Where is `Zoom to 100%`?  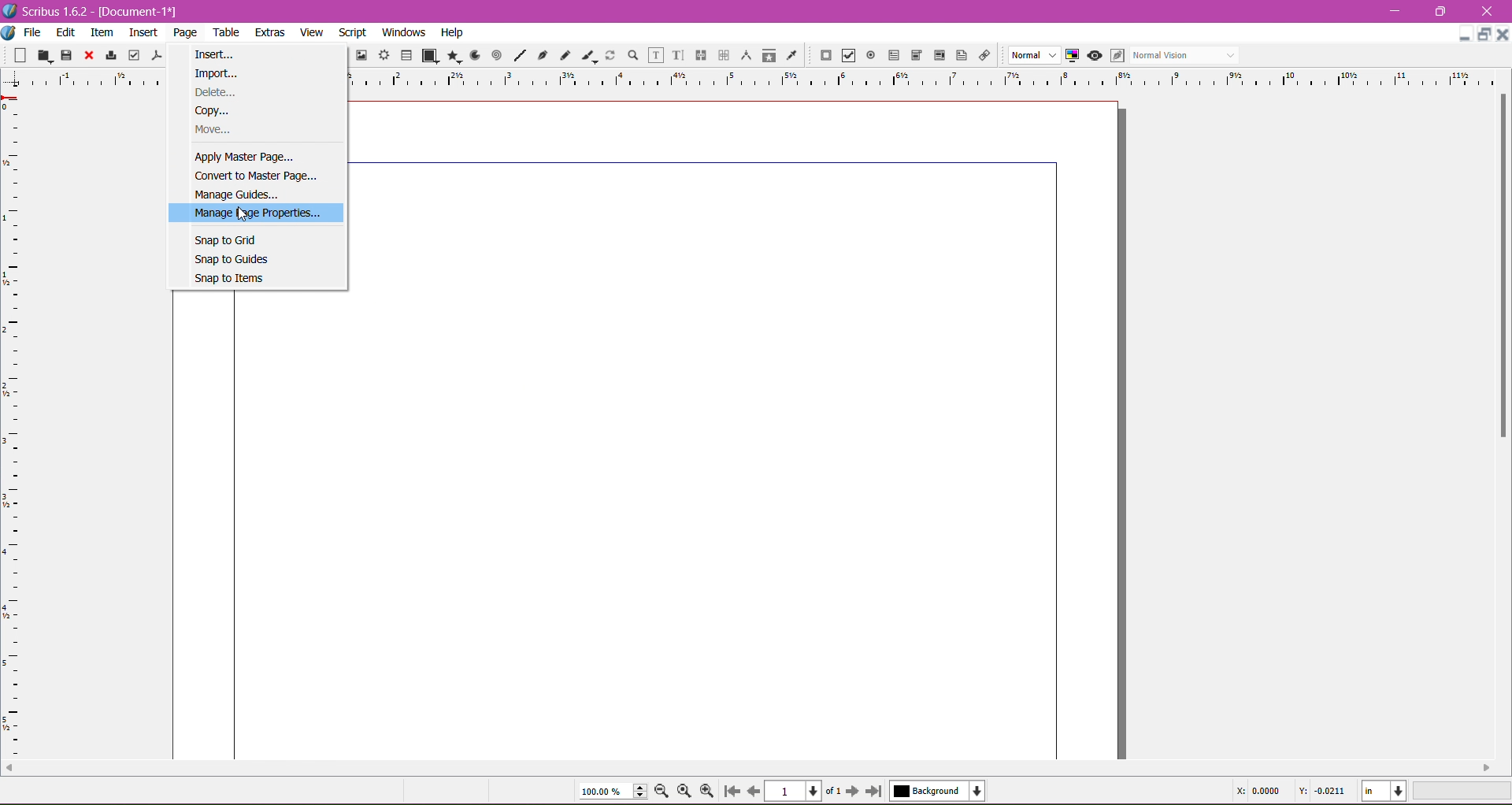 Zoom to 100% is located at coordinates (684, 790).